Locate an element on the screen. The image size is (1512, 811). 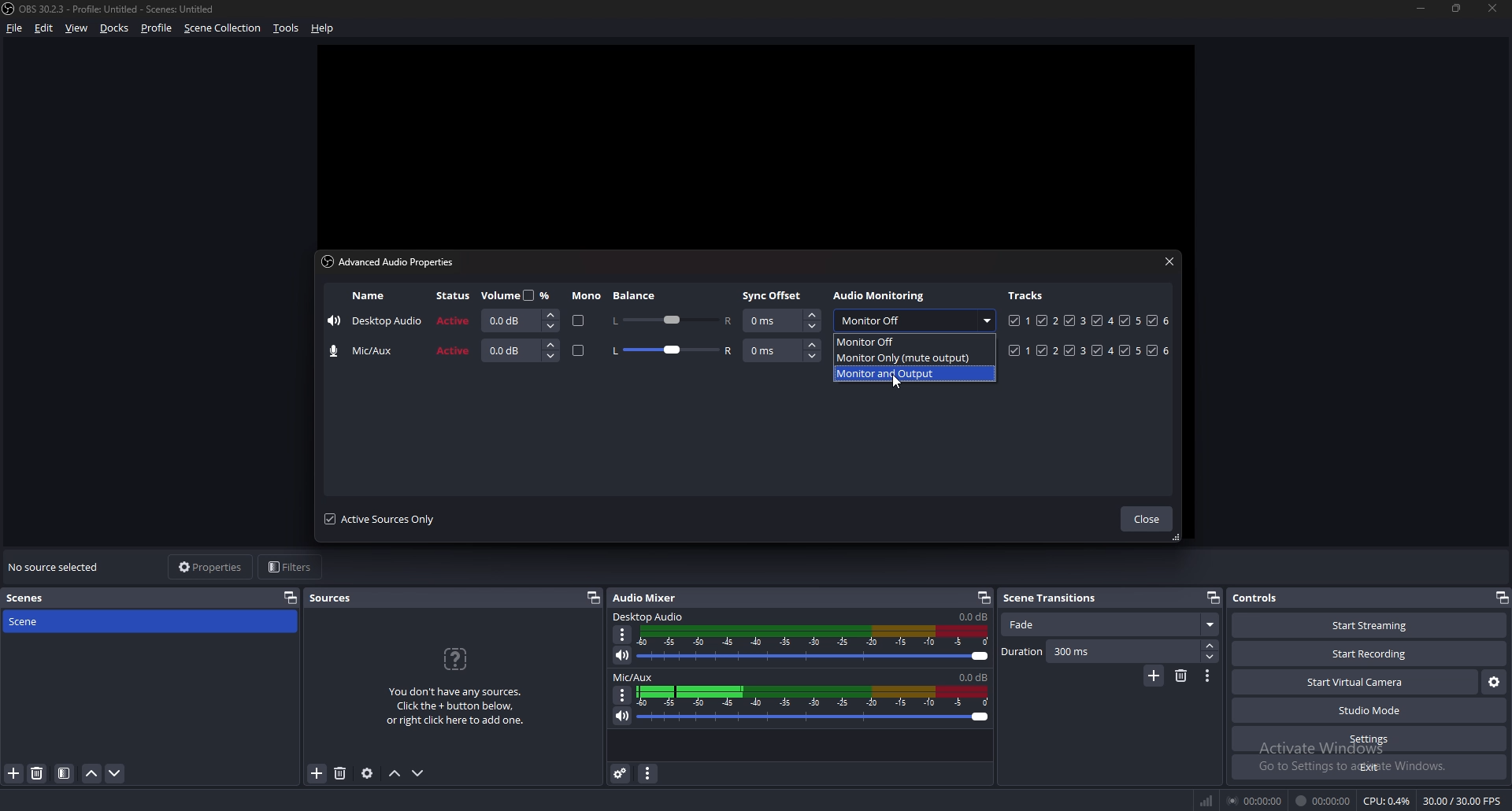
duration is located at coordinates (1099, 652).